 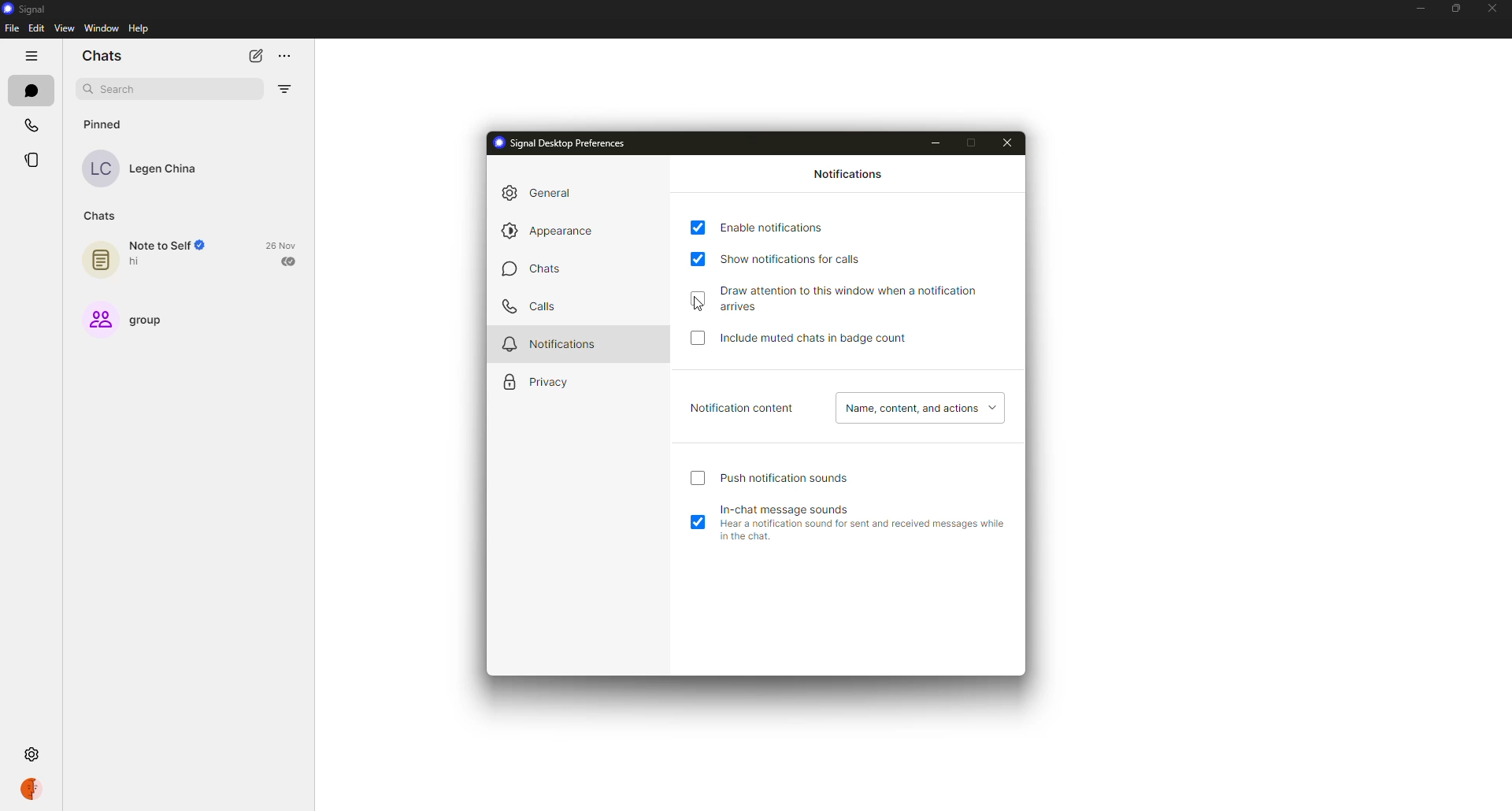 What do you see at coordinates (564, 143) in the screenshot?
I see `signal desktop preferences` at bounding box center [564, 143].